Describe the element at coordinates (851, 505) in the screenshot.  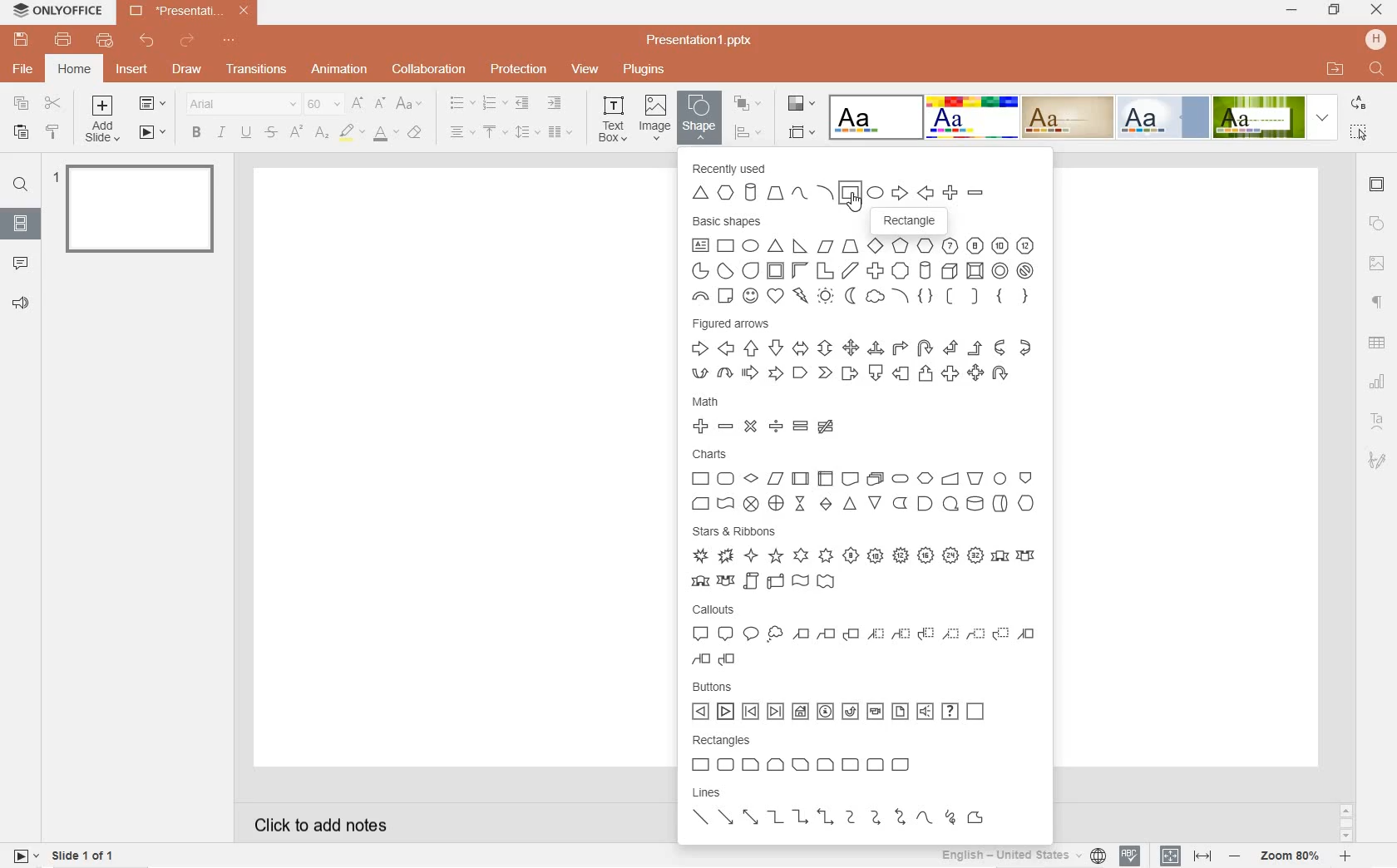
I see `Extract` at that location.